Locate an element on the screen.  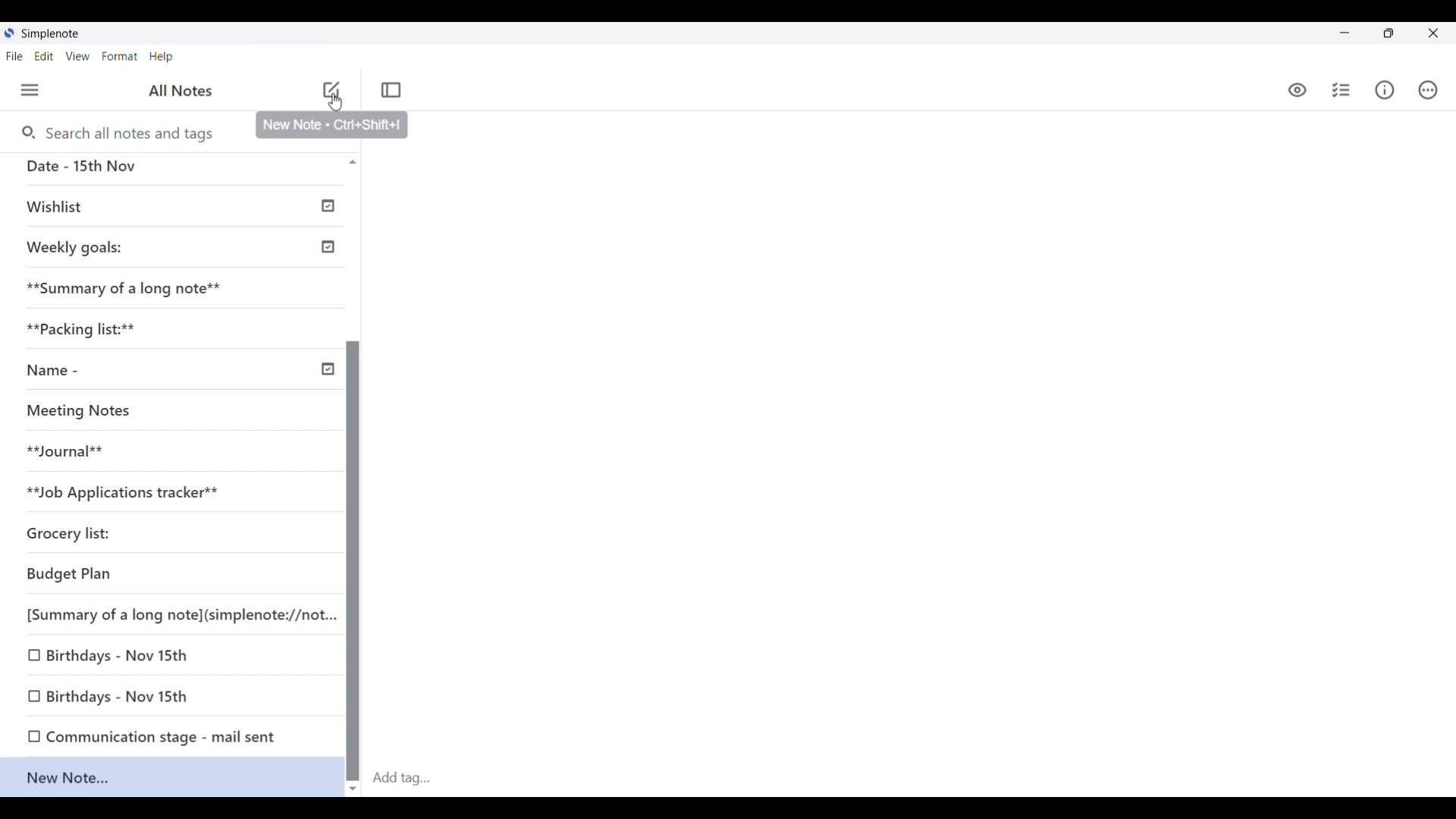
Edit menu is located at coordinates (44, 56).